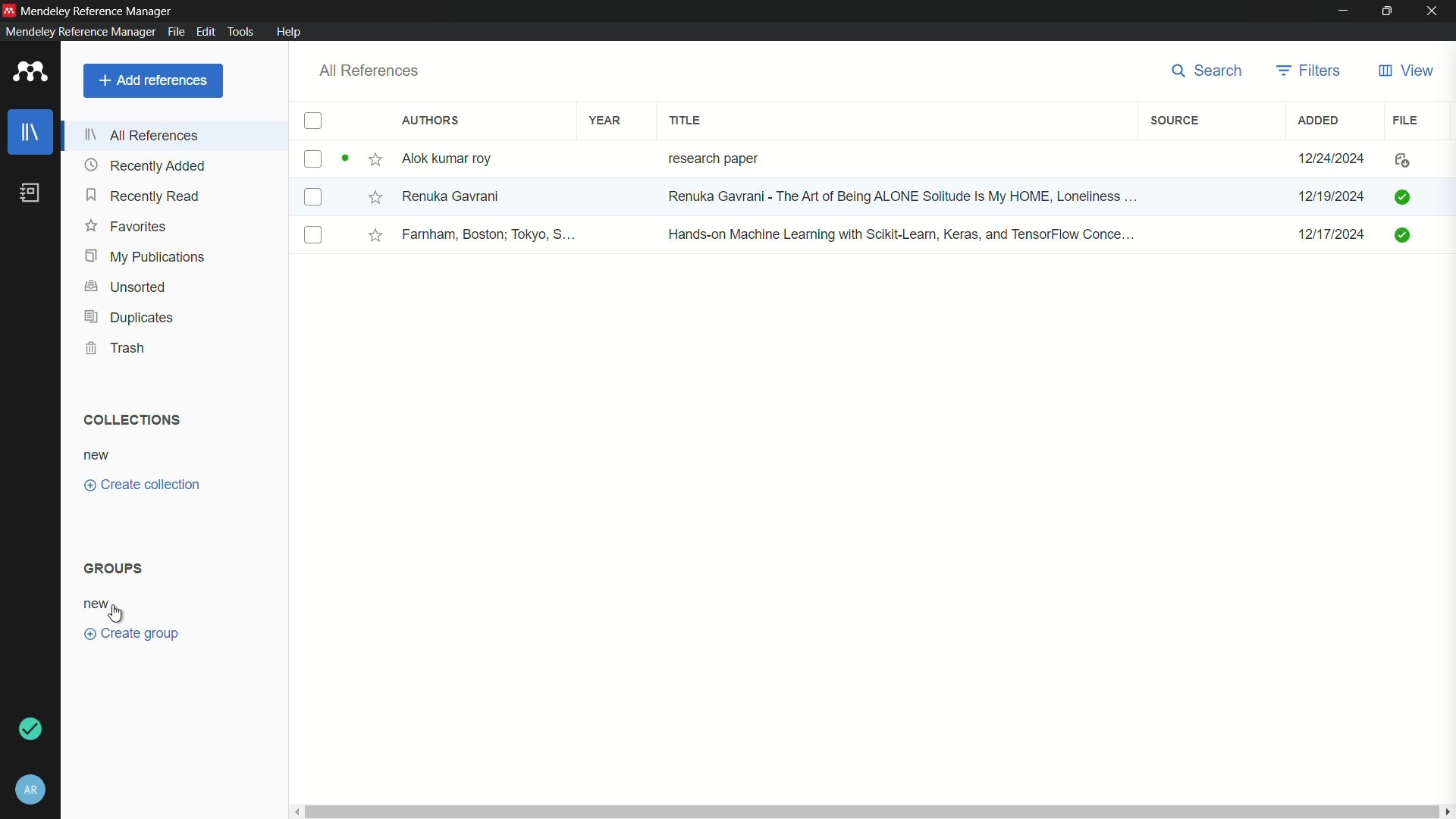  I want to click on Alok Kumar Rou, so click(452, 160).